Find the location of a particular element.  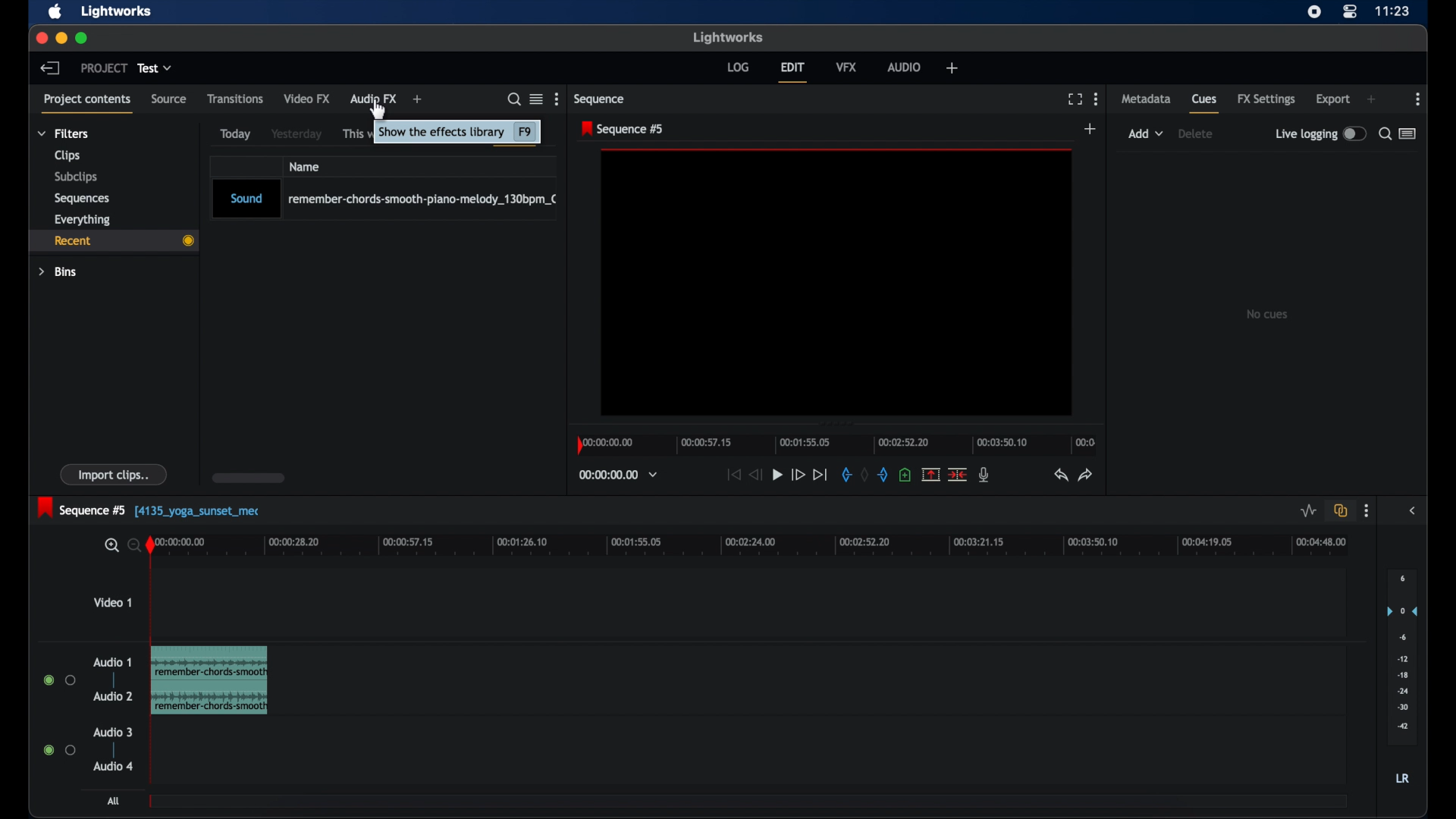

bins is located at coordinates (59, 273).